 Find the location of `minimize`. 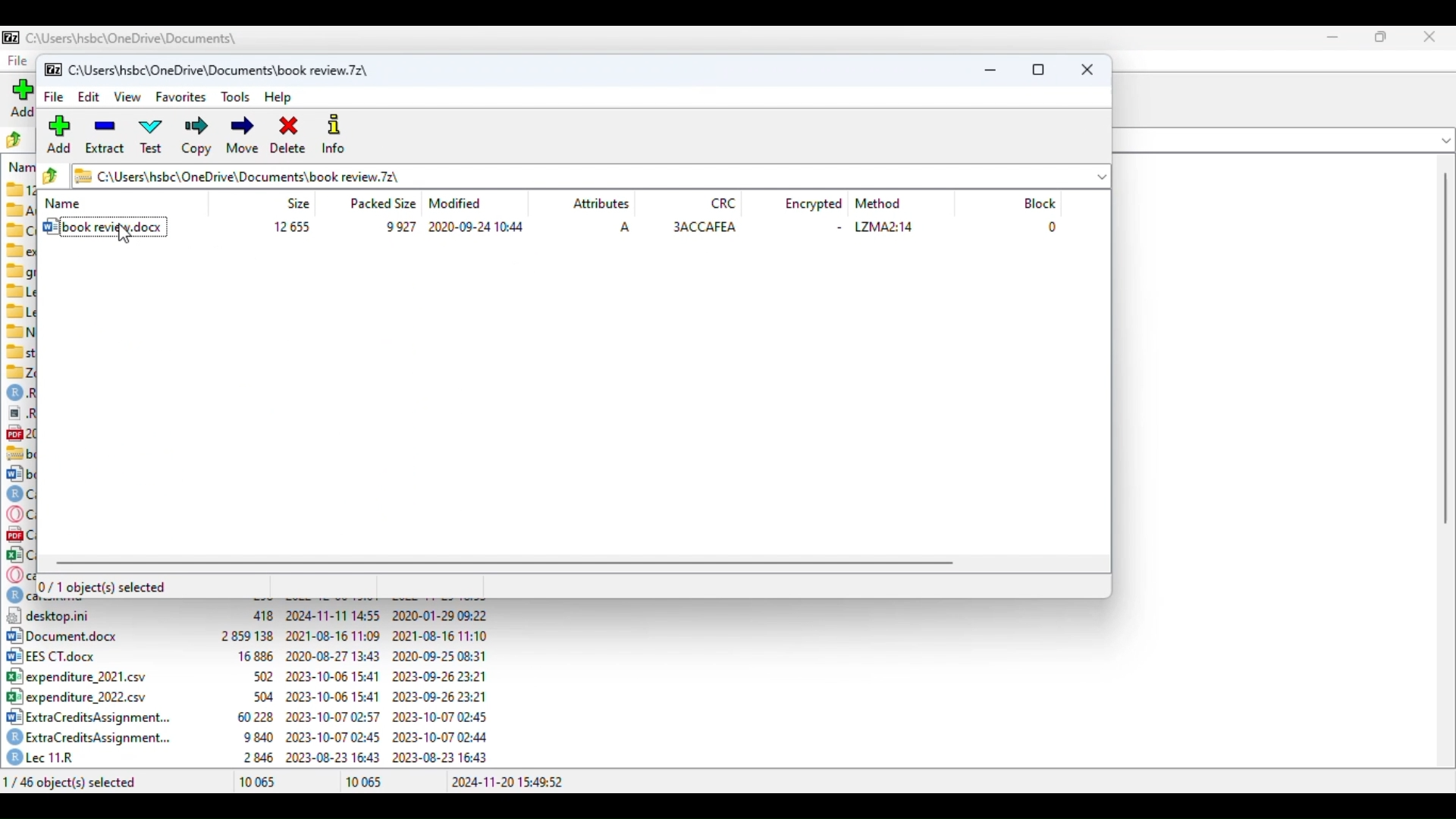

minimize is located at coordinates (1334, 38).